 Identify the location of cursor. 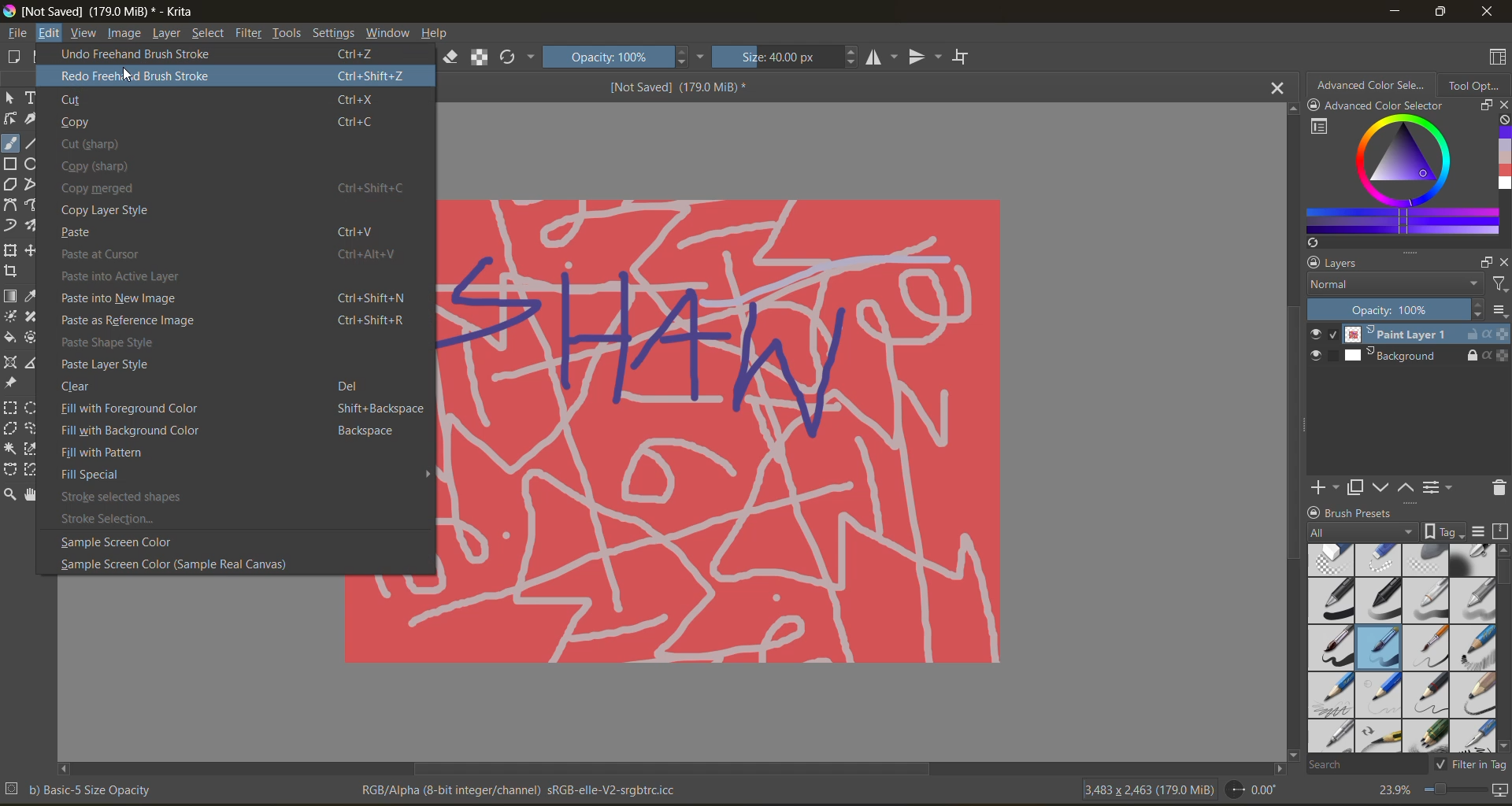
(129, 74).